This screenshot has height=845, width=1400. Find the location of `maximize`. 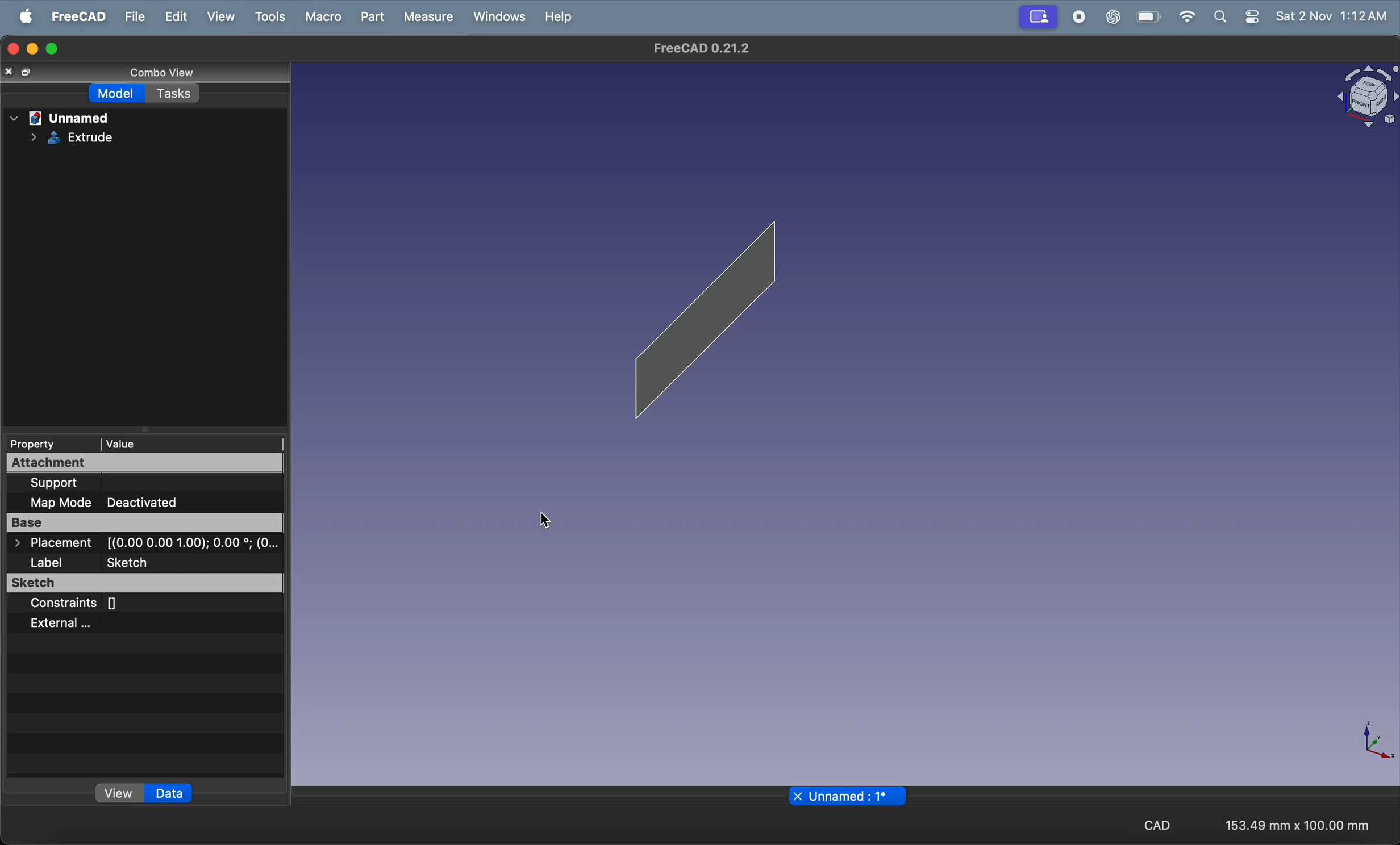

maximize is located at coordinates (53, 50).